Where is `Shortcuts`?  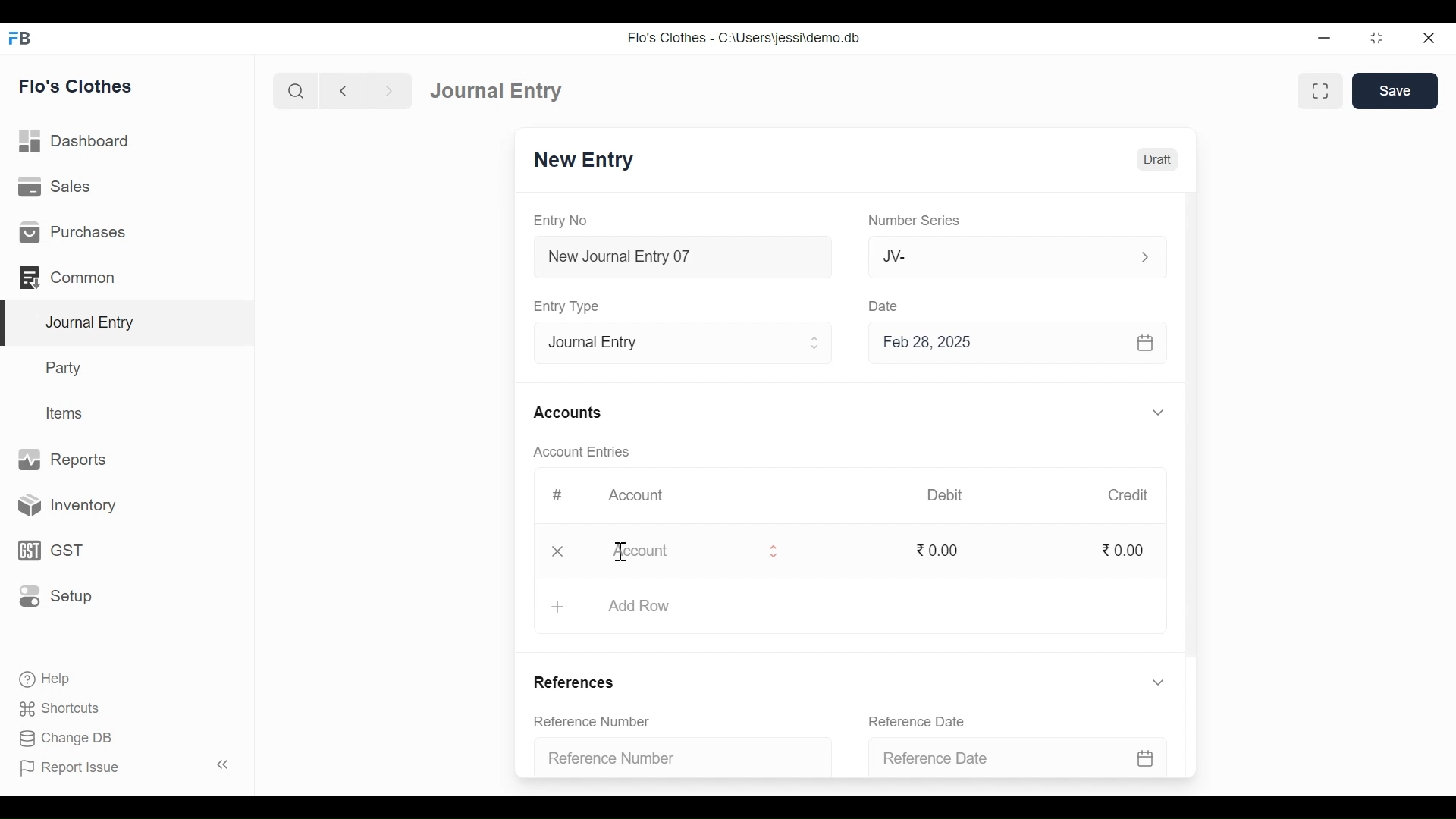
Shortcuts is located at coordinates (68, 706).